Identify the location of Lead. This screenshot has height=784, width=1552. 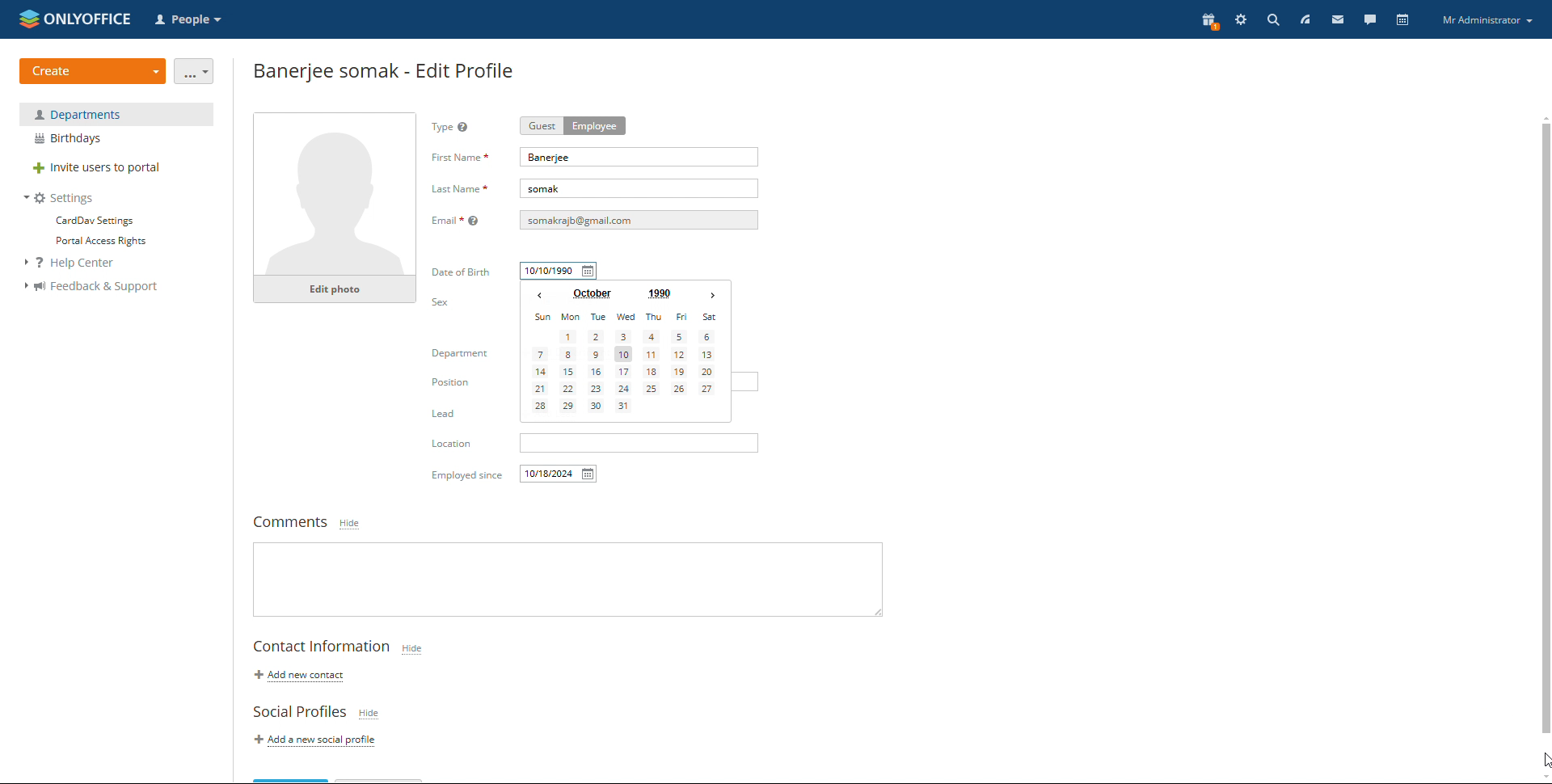
(443, 415).